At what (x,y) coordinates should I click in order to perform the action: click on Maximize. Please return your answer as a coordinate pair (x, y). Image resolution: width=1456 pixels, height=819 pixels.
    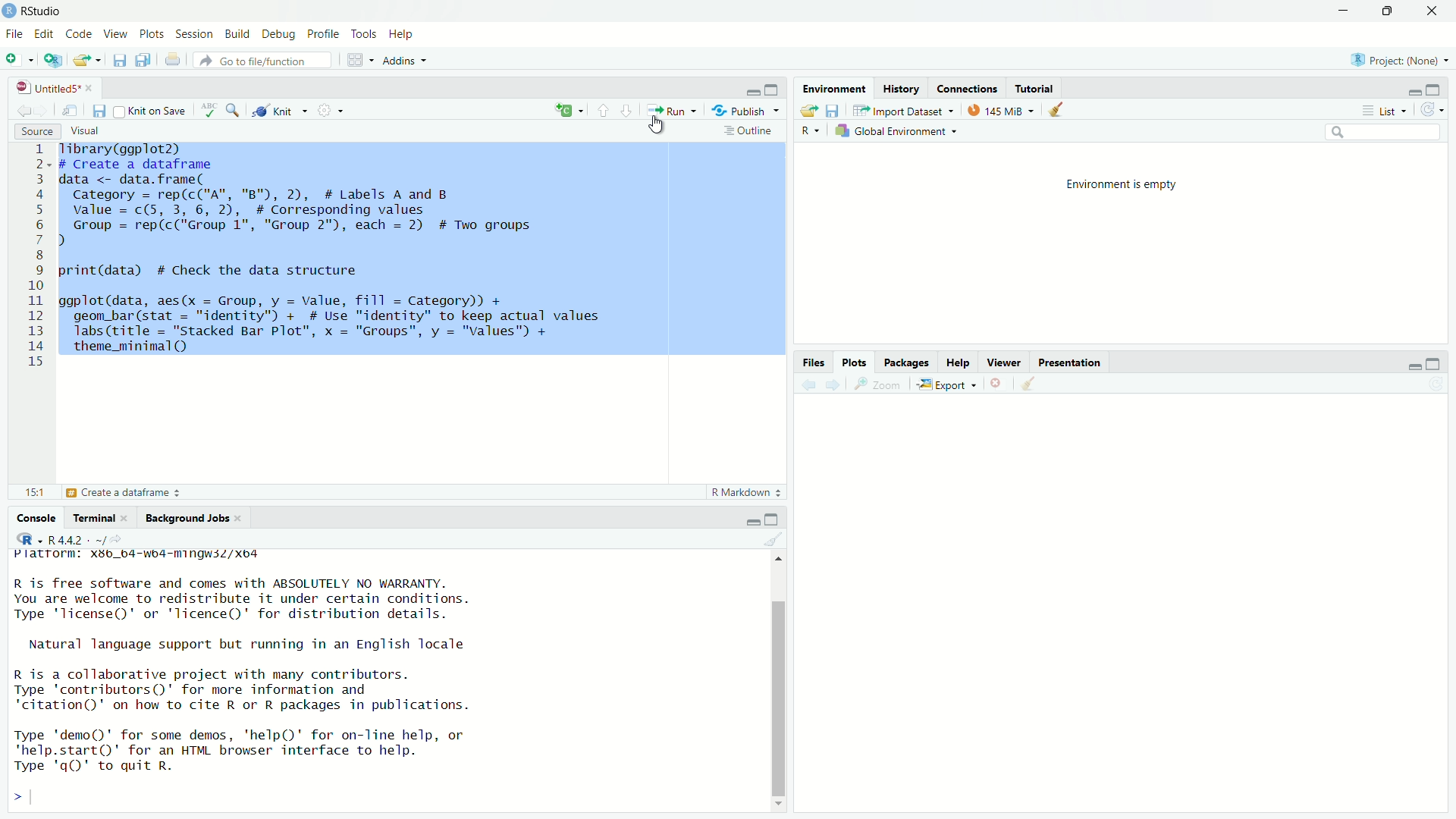
    Looking at the image, I should click on (772, 519).